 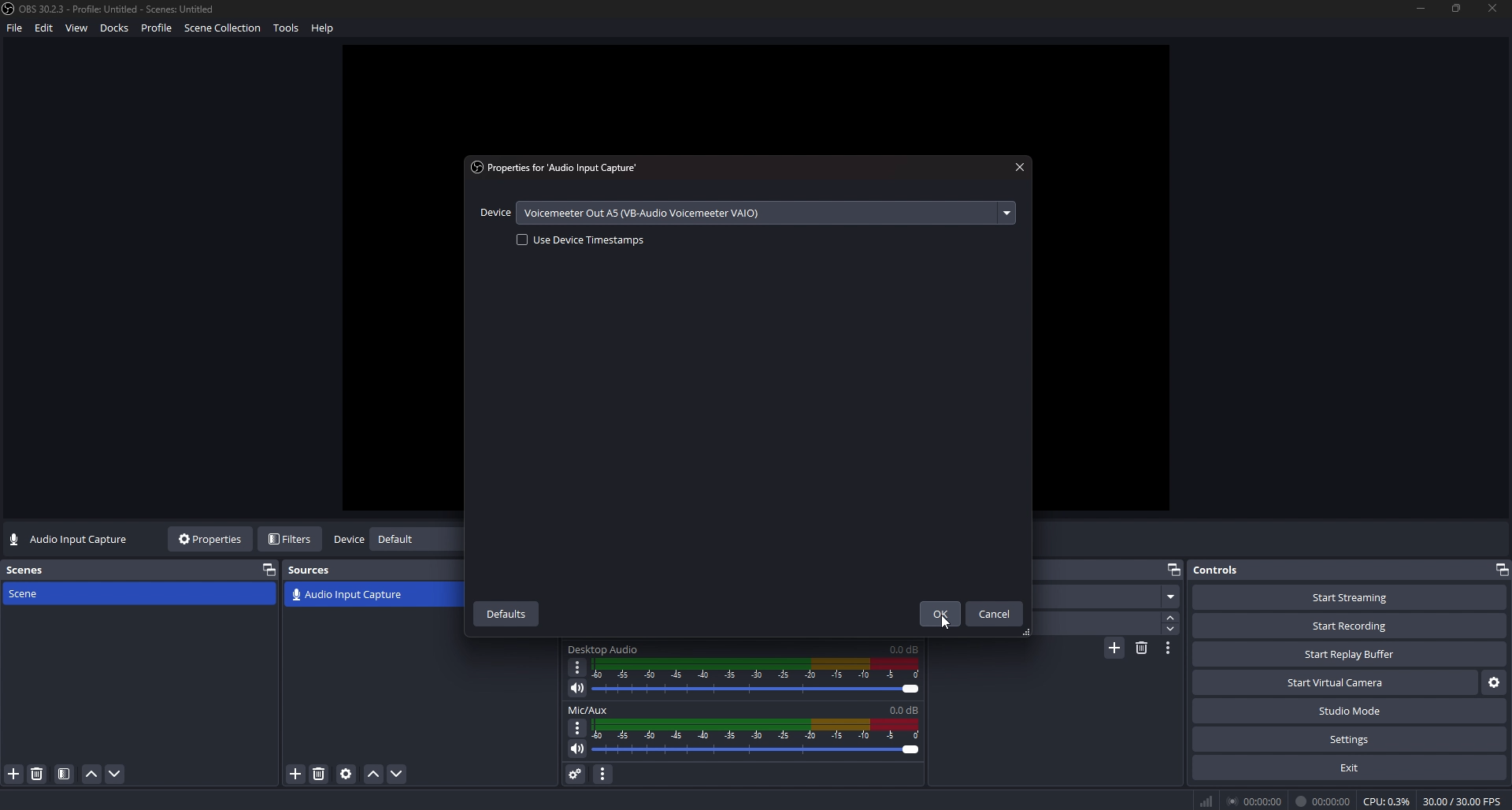 What do you see at coordinates (117, 30) in the screenshot?
I see `Docks` at bounding box center [117, 30].